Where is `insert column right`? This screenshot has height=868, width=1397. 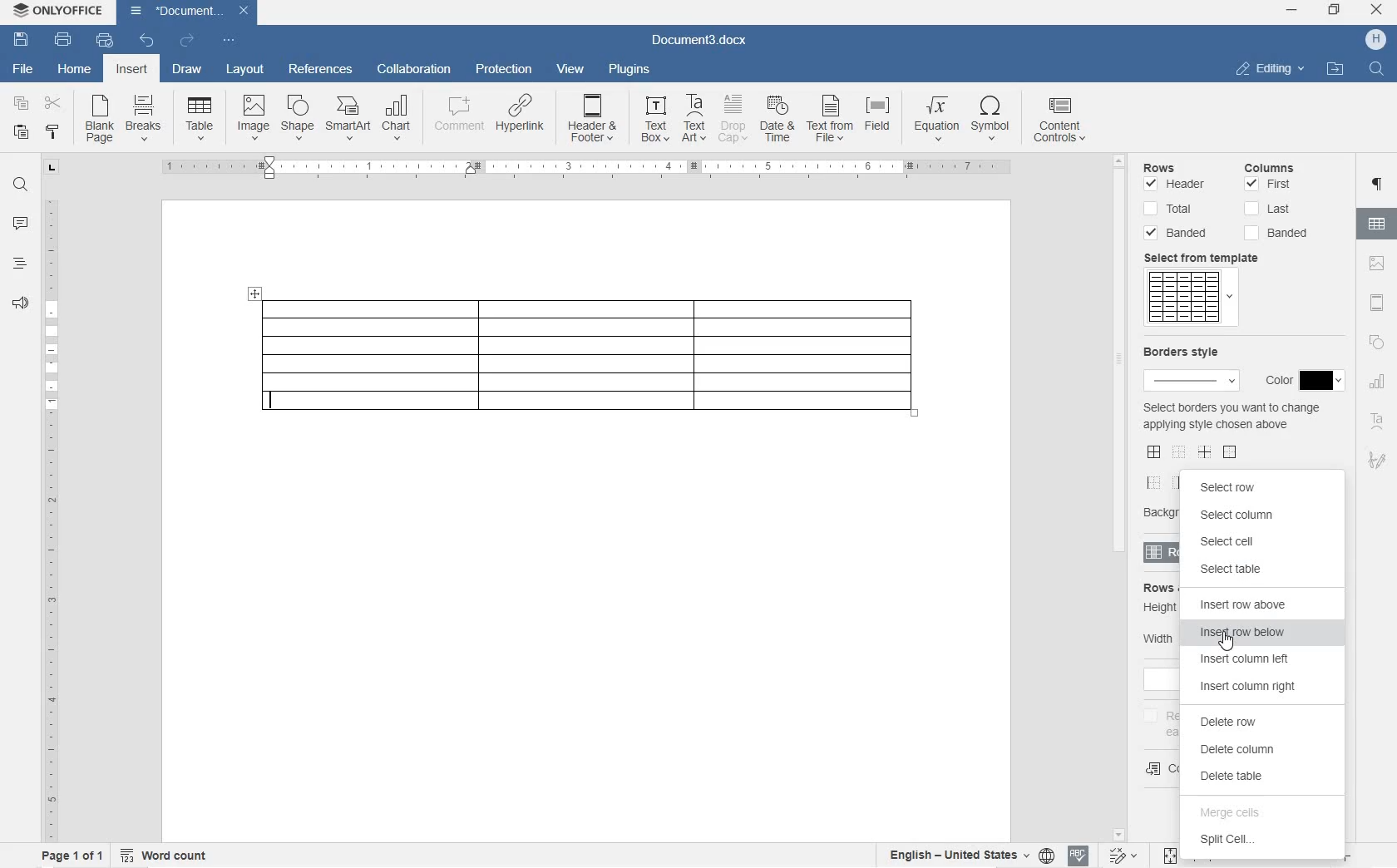 insert column right is located at coordinates (1256, 688).